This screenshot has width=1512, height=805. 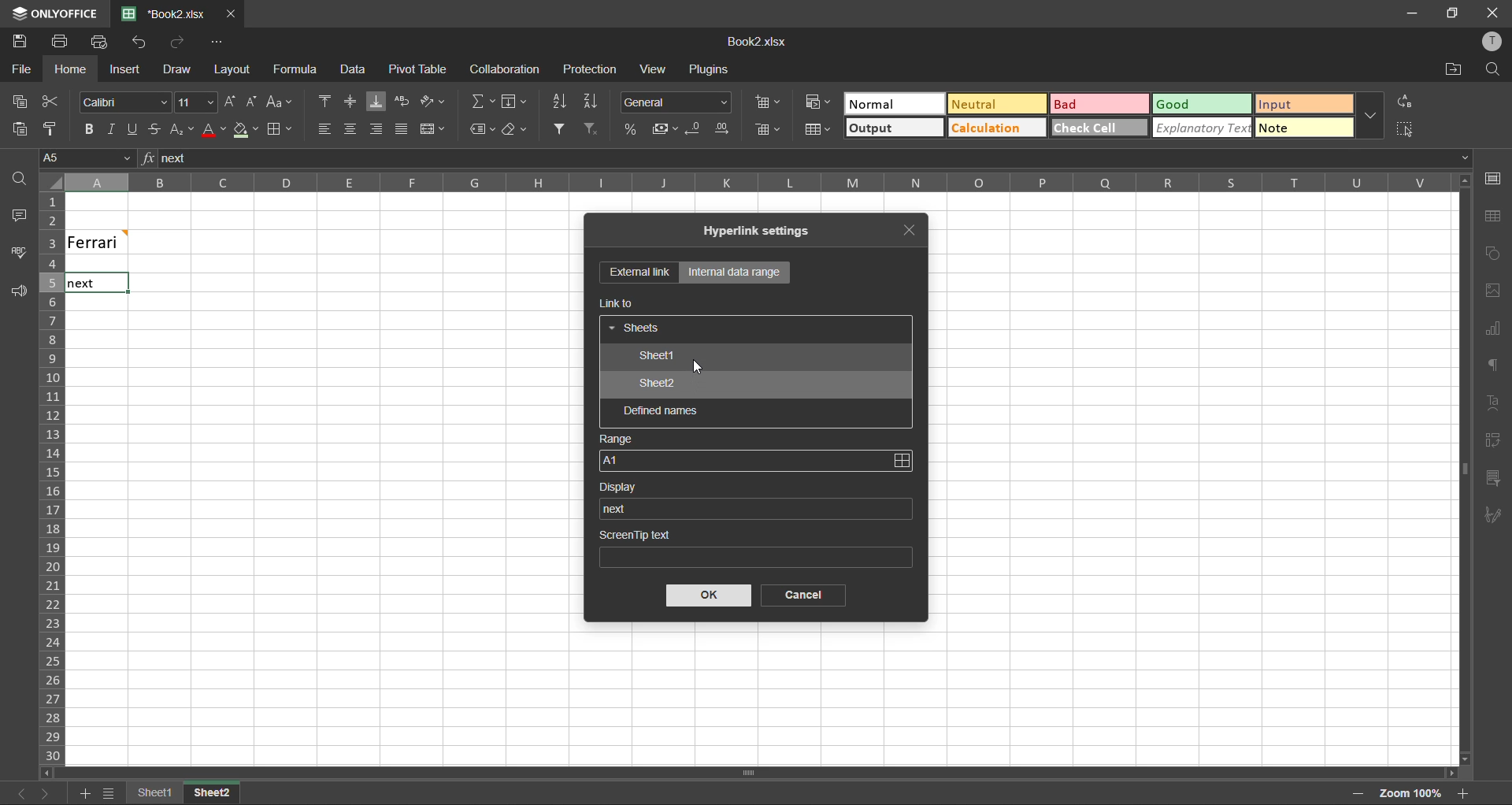 What do you see at coordinates (743, 460) in the screenshot?
I see `a1` at bounding box center [743, 460].